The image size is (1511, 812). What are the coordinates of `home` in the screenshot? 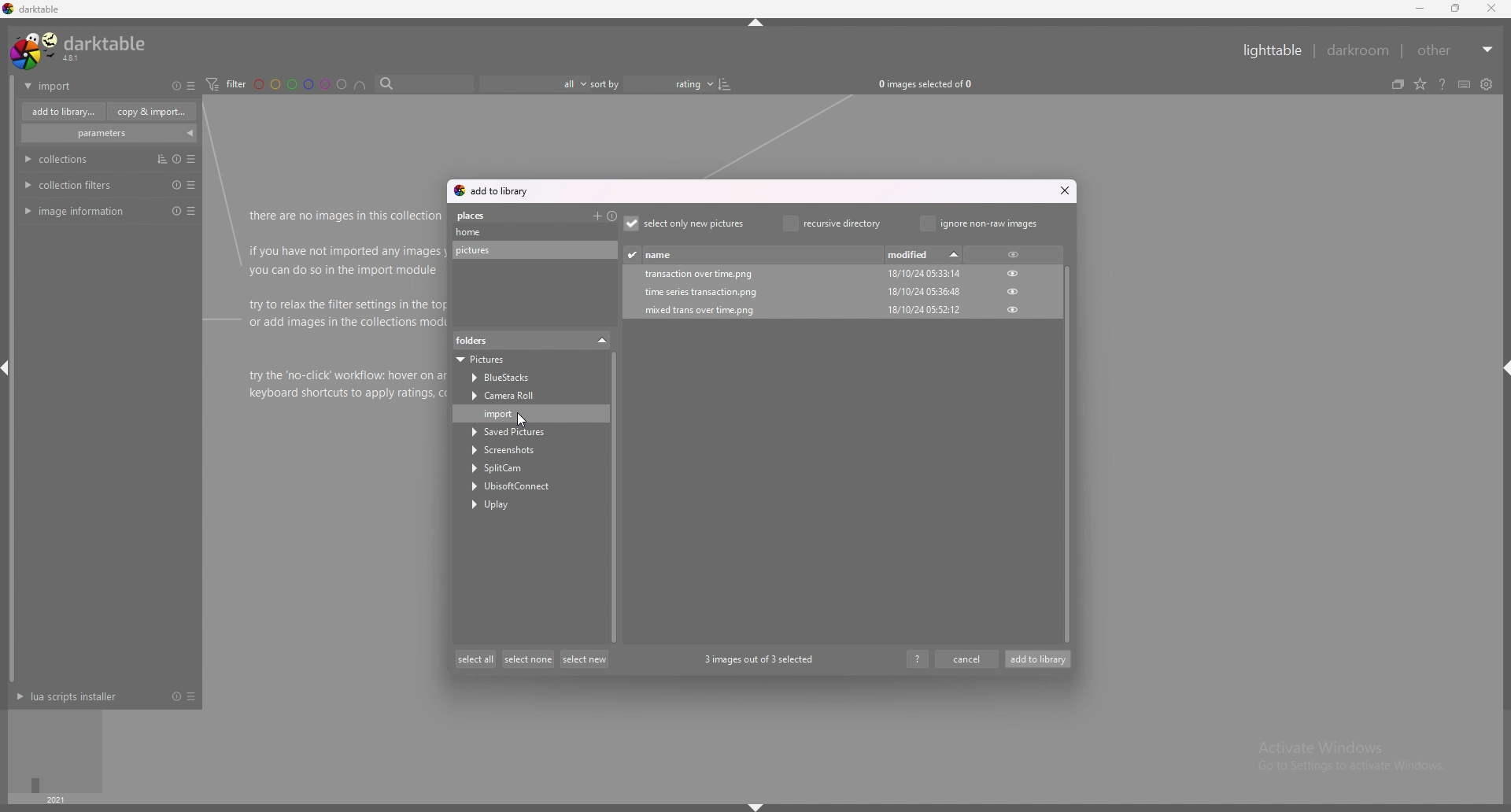 It's located at (511, 231).